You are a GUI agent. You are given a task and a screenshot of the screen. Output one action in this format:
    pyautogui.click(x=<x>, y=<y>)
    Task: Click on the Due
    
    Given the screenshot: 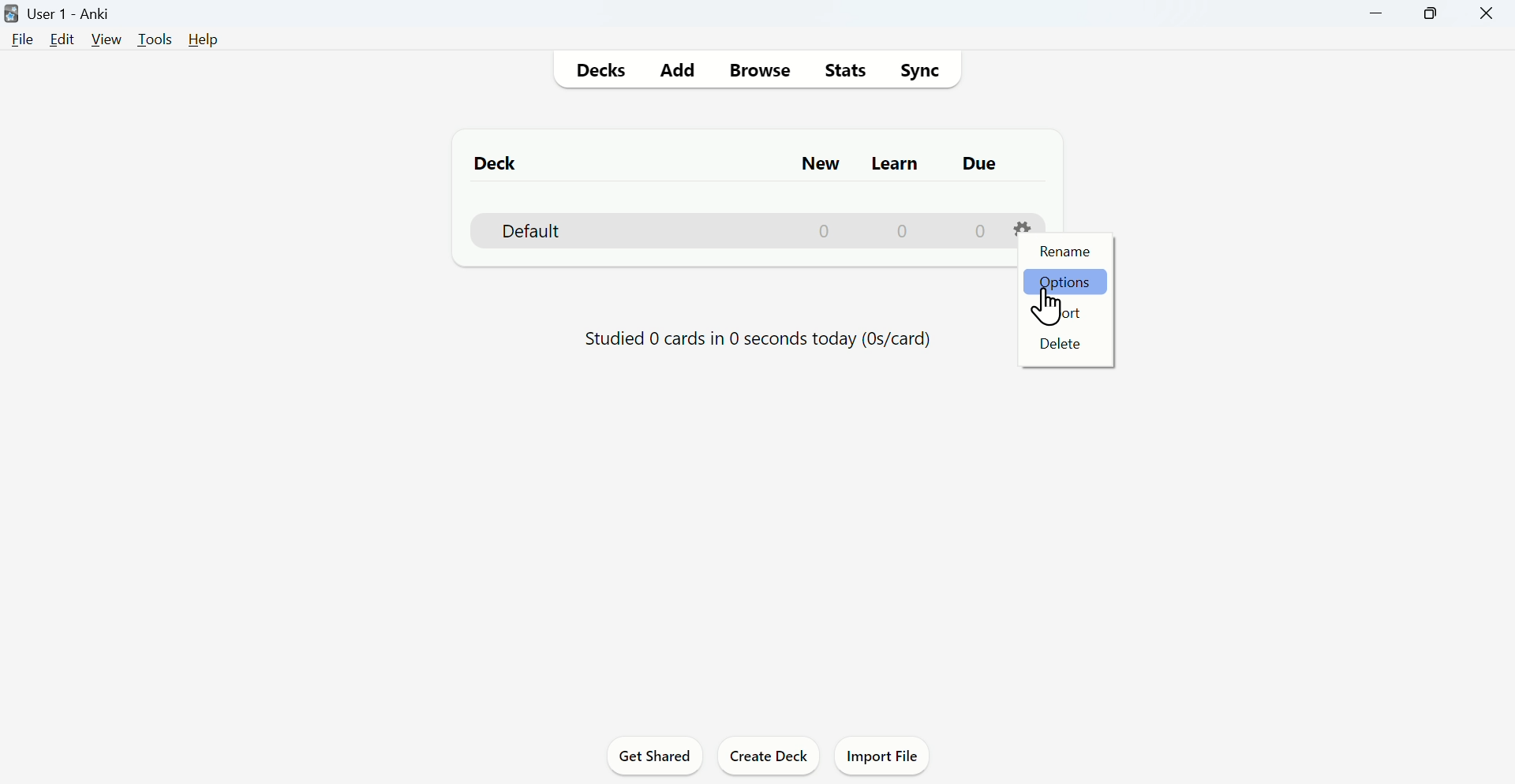 What is the action you would take?
    pyautogui.click(x=978, y=163)
    